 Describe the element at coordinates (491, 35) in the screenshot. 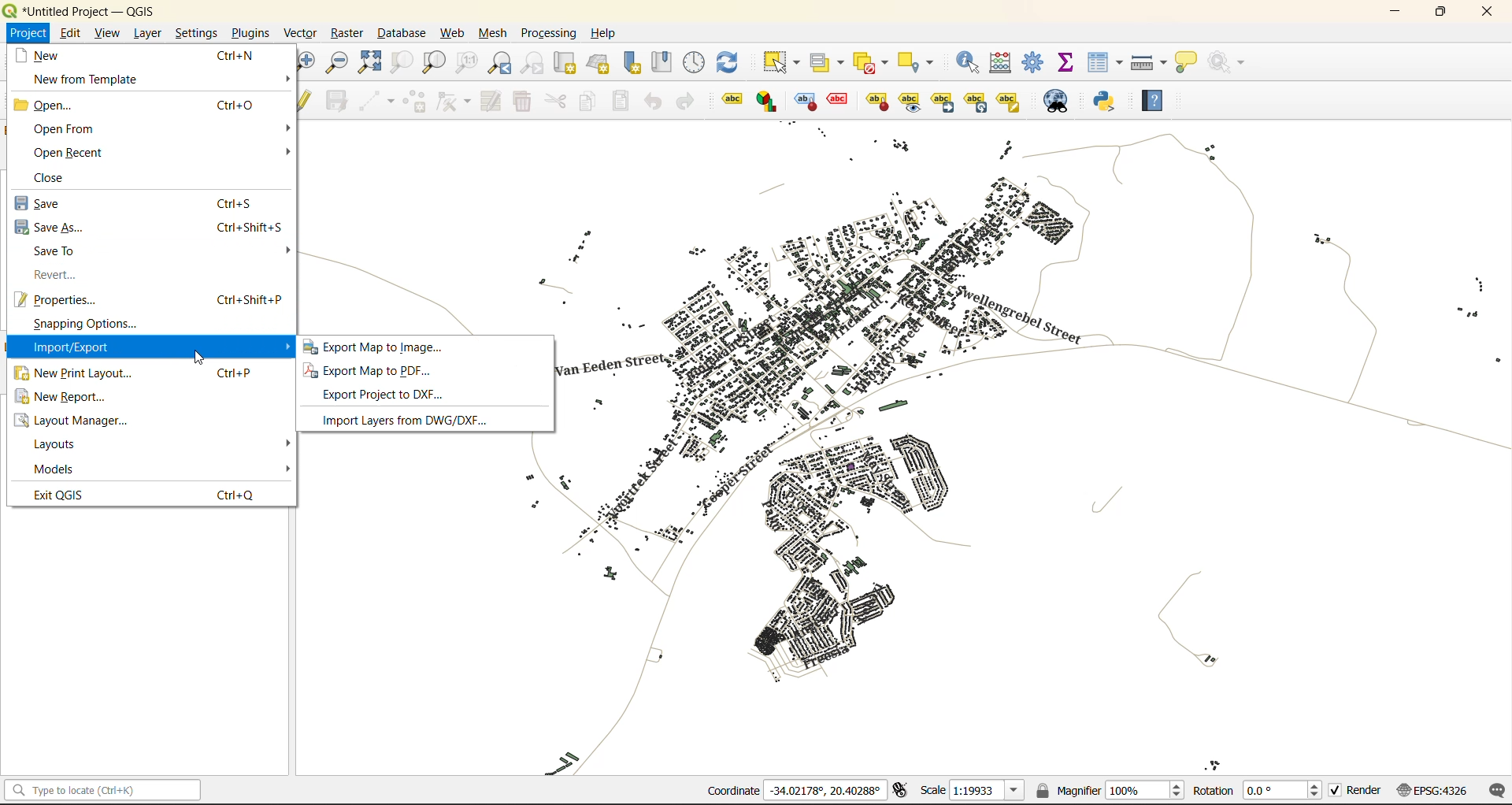

I see `mesh` at that location.